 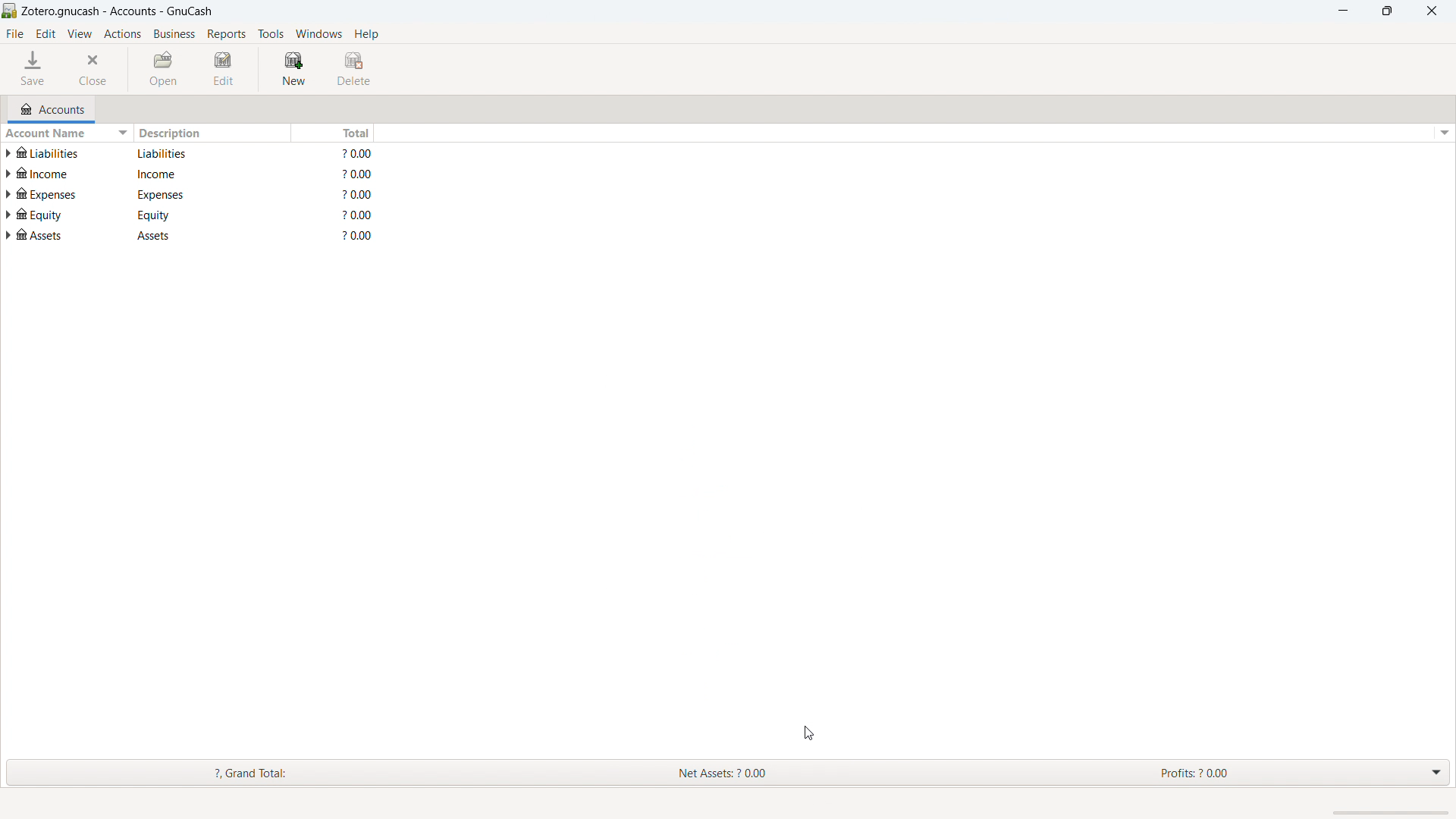 I want to click on description, so click(x=172, y=178).